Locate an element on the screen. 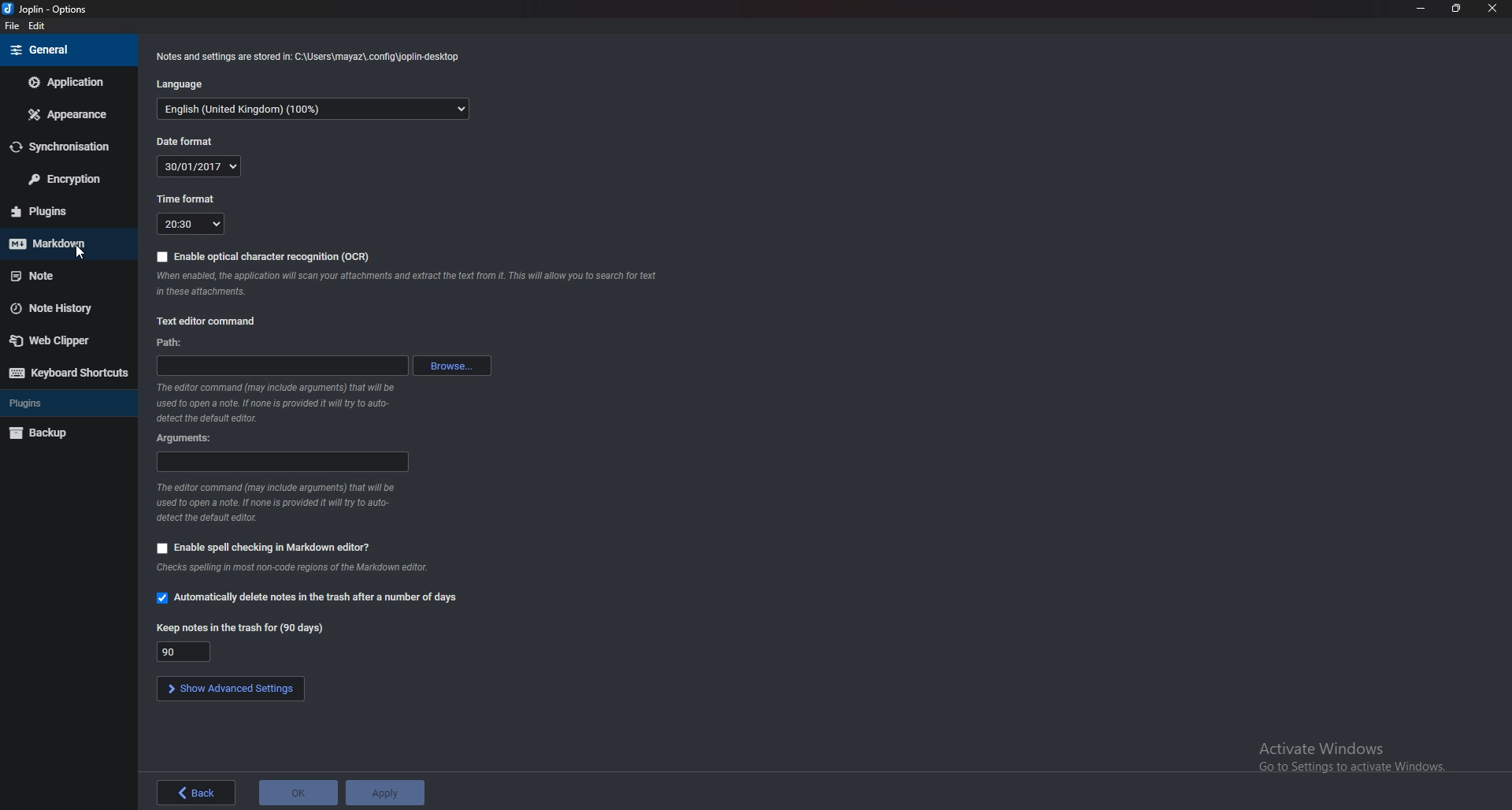  Enable ocr is located at coordinates (265, 255).